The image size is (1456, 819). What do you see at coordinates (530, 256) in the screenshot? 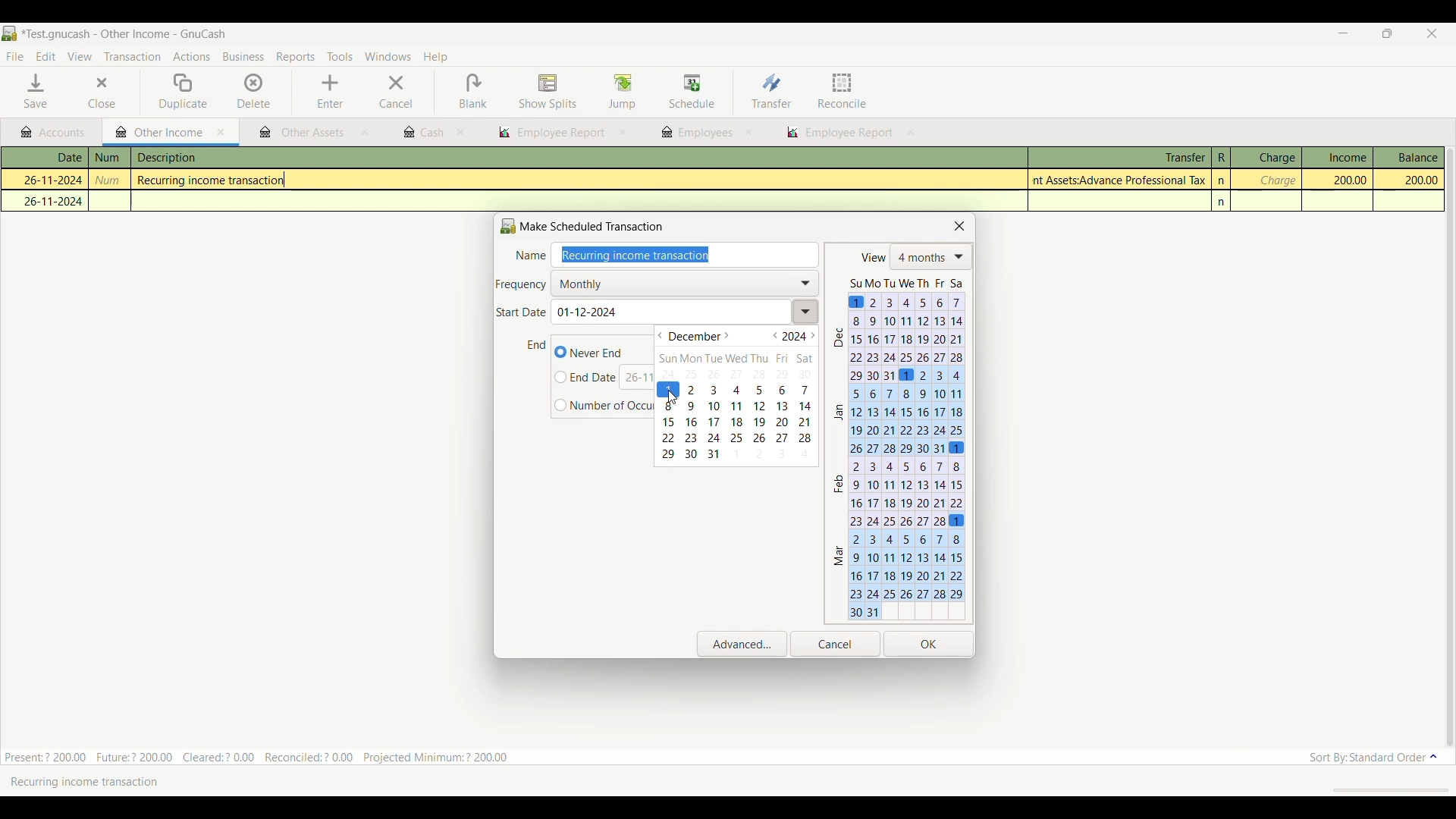
I see `Name` at bounding box center [530, 256].